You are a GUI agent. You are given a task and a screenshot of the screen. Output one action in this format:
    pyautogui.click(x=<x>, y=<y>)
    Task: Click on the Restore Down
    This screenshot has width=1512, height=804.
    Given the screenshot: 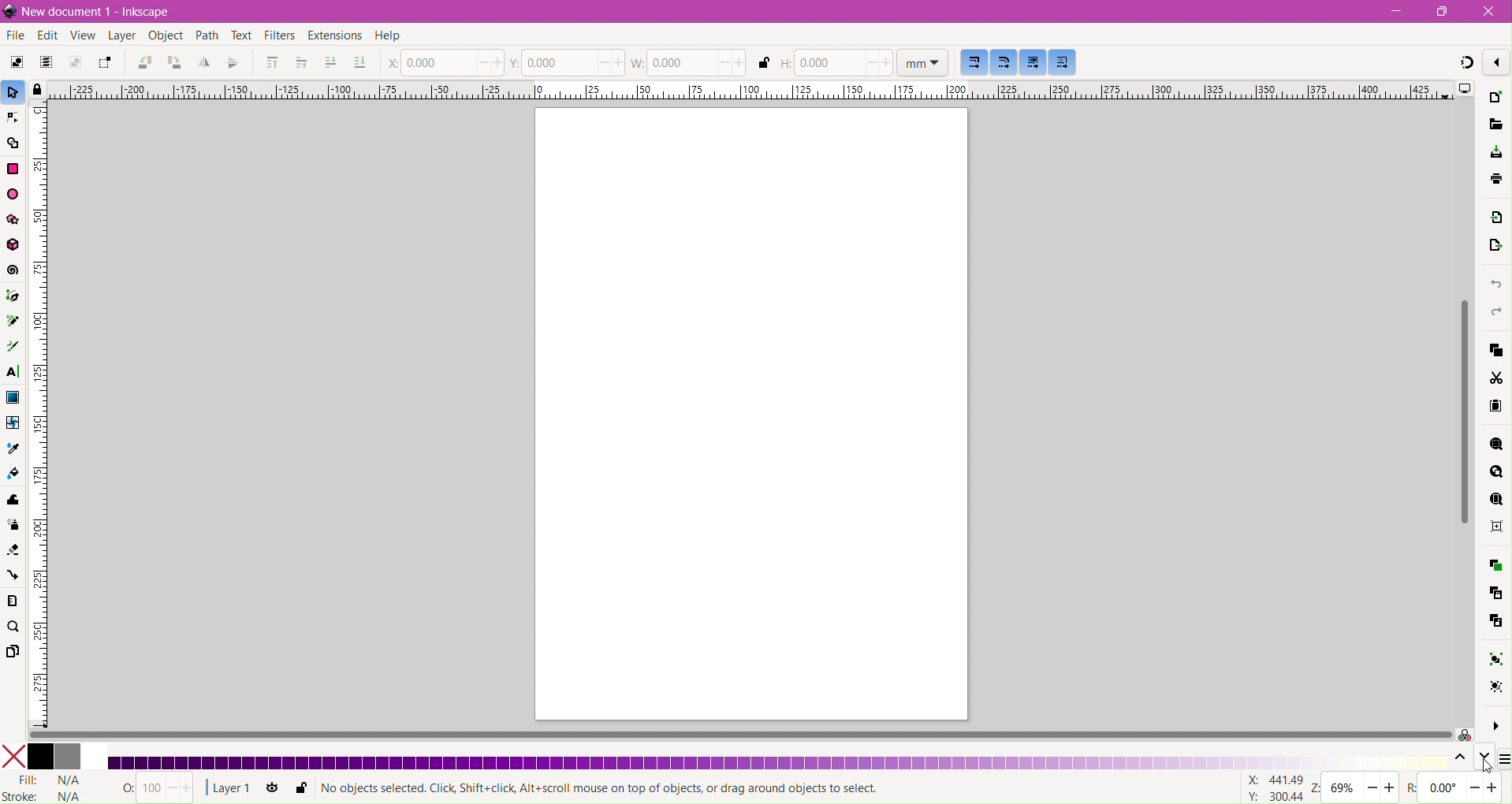 What is the action you would take?
    pyautogui.click(x=1447, y=10)
    